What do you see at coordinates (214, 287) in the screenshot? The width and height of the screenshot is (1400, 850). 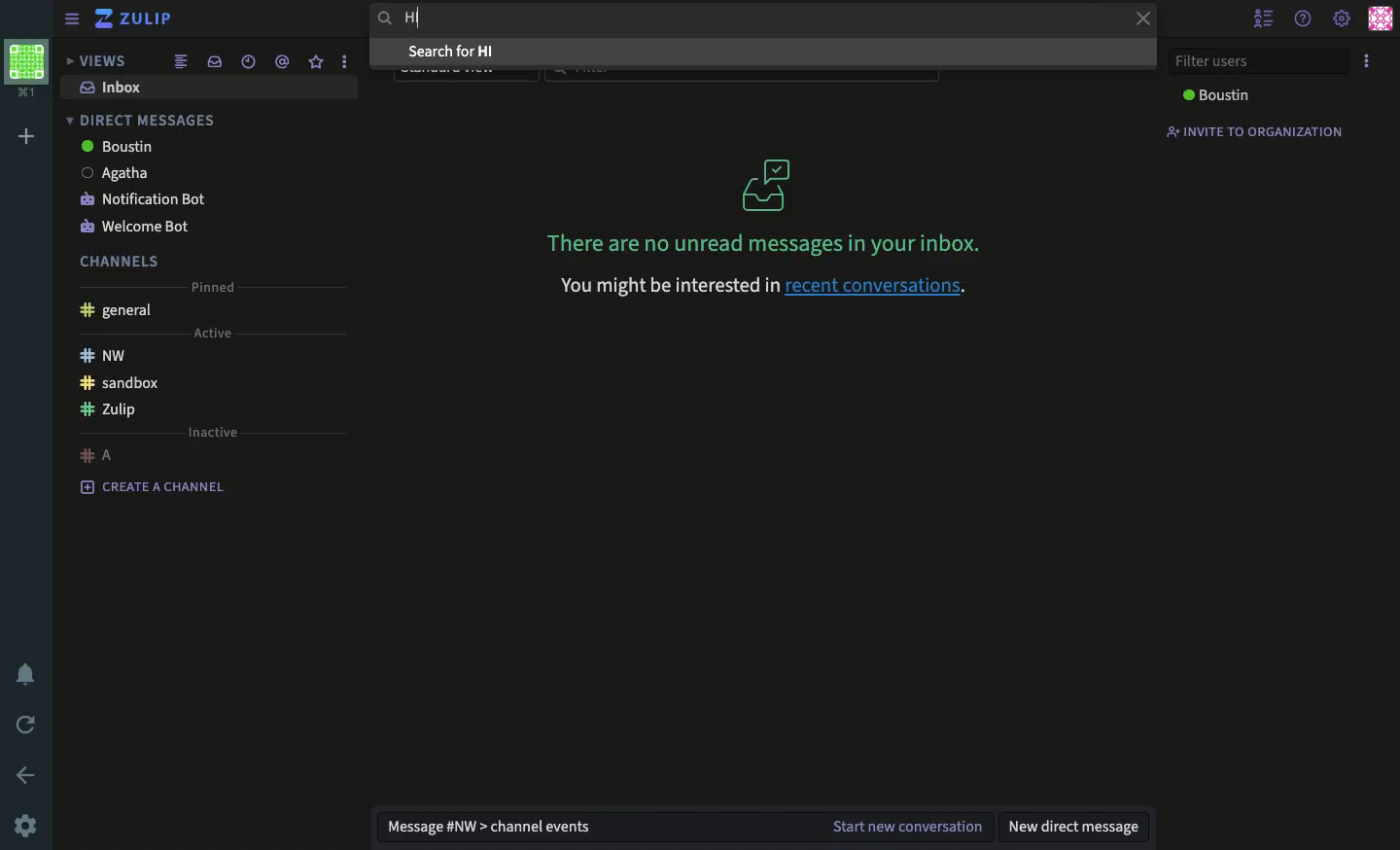 I see `pinned` at bounding box center [214, 287].